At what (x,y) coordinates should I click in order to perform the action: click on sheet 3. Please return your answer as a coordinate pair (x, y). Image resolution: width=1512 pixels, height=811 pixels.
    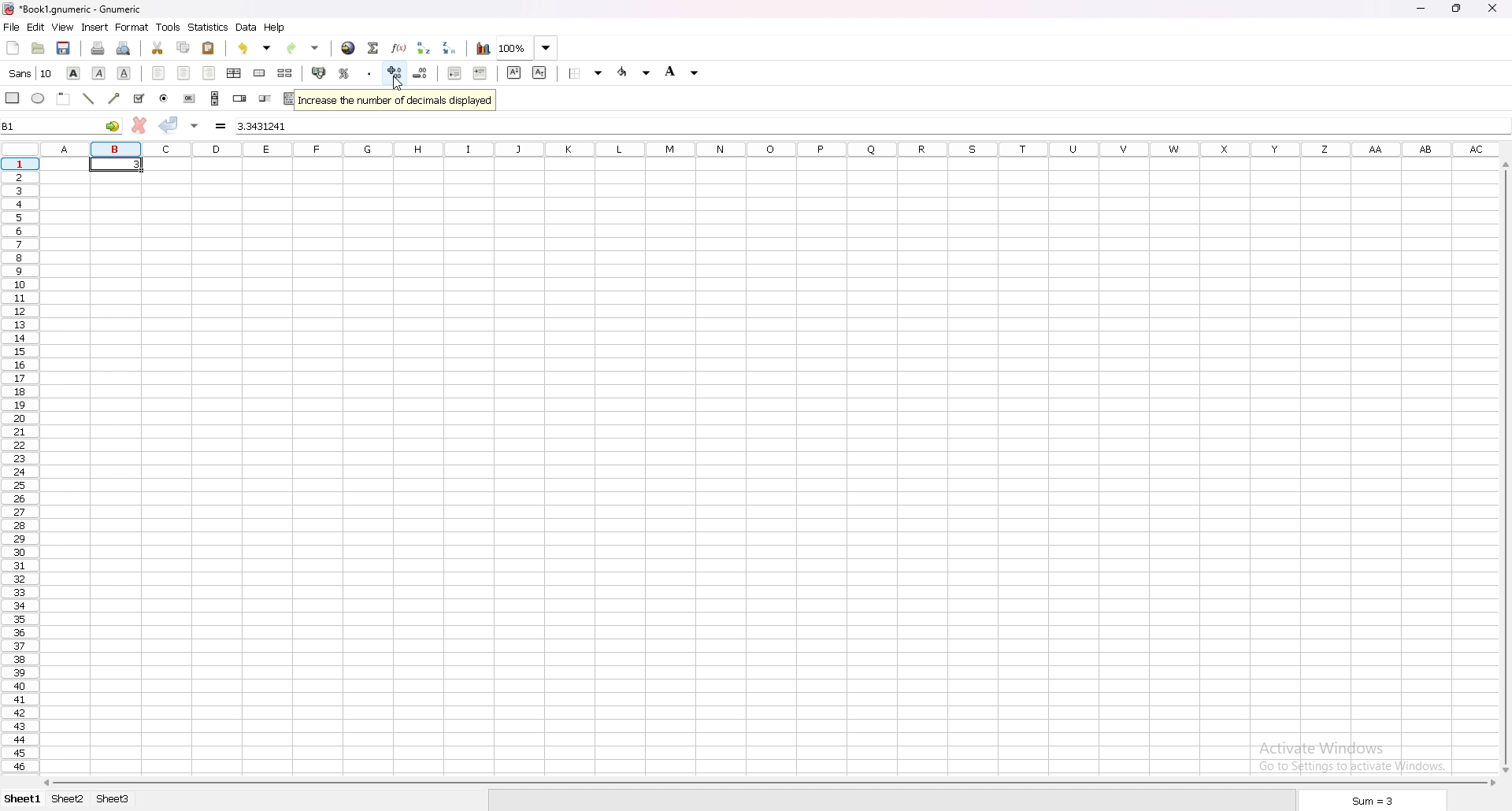
    Looking at the image, I should click on (113, 798).